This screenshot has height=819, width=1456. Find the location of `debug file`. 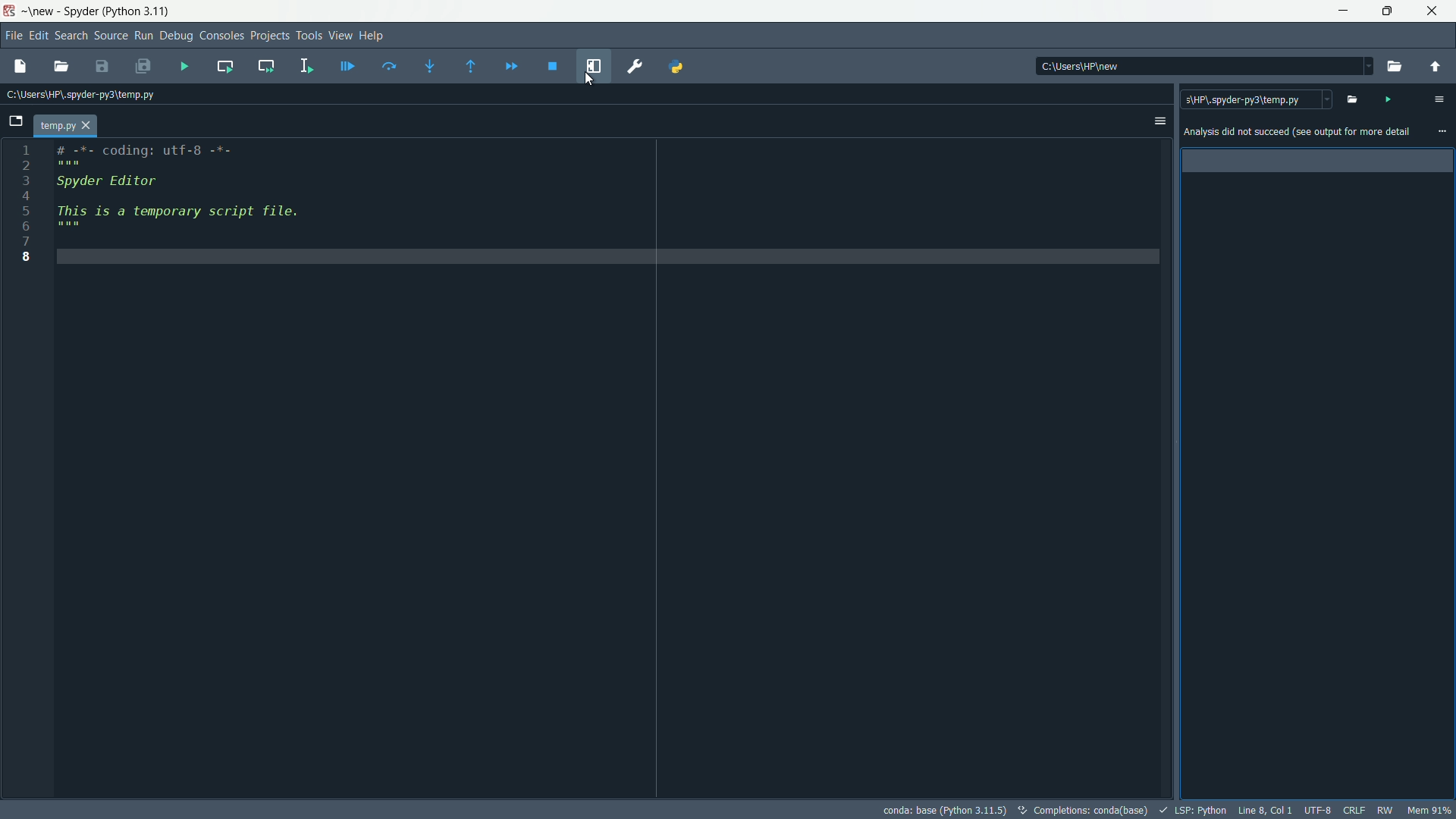

debug file is located at coordinates (347, 66).